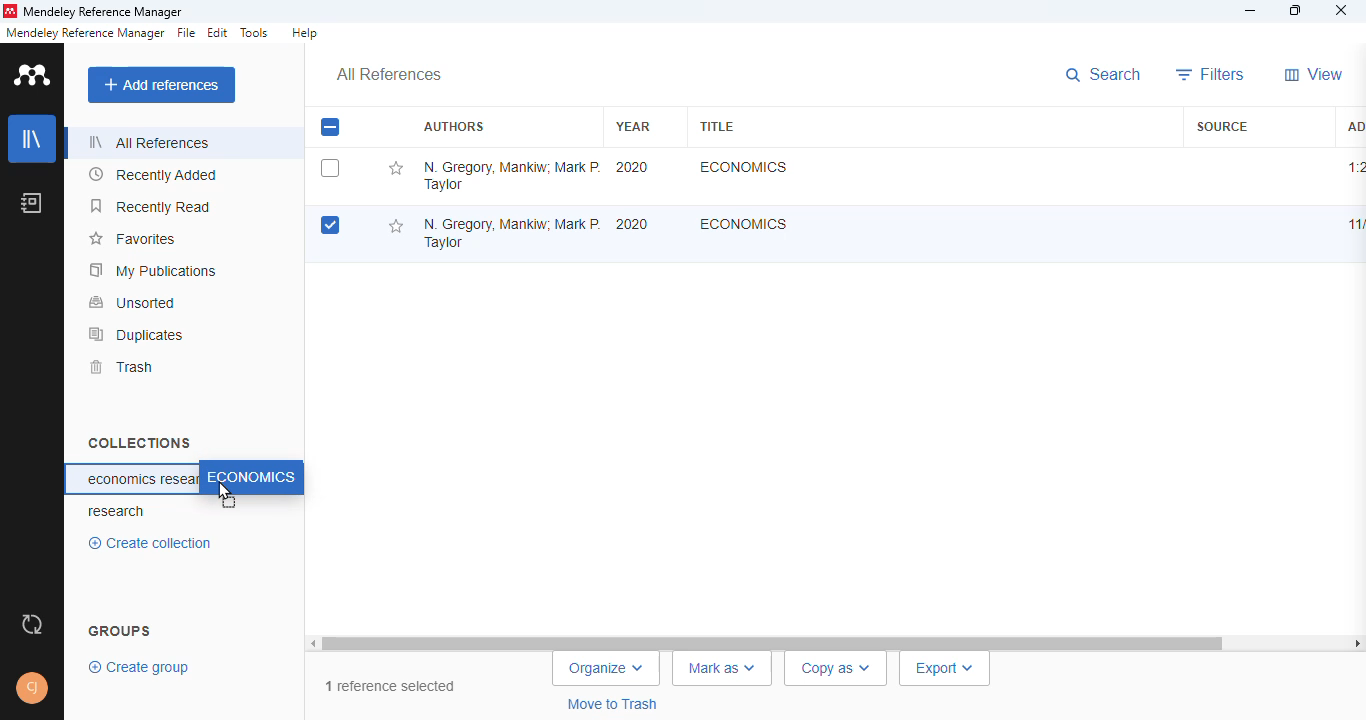 The image size is (1366, 720). I want to click on N. Gregory Mankiw, Mark P. Taylor, so click(508, 228).